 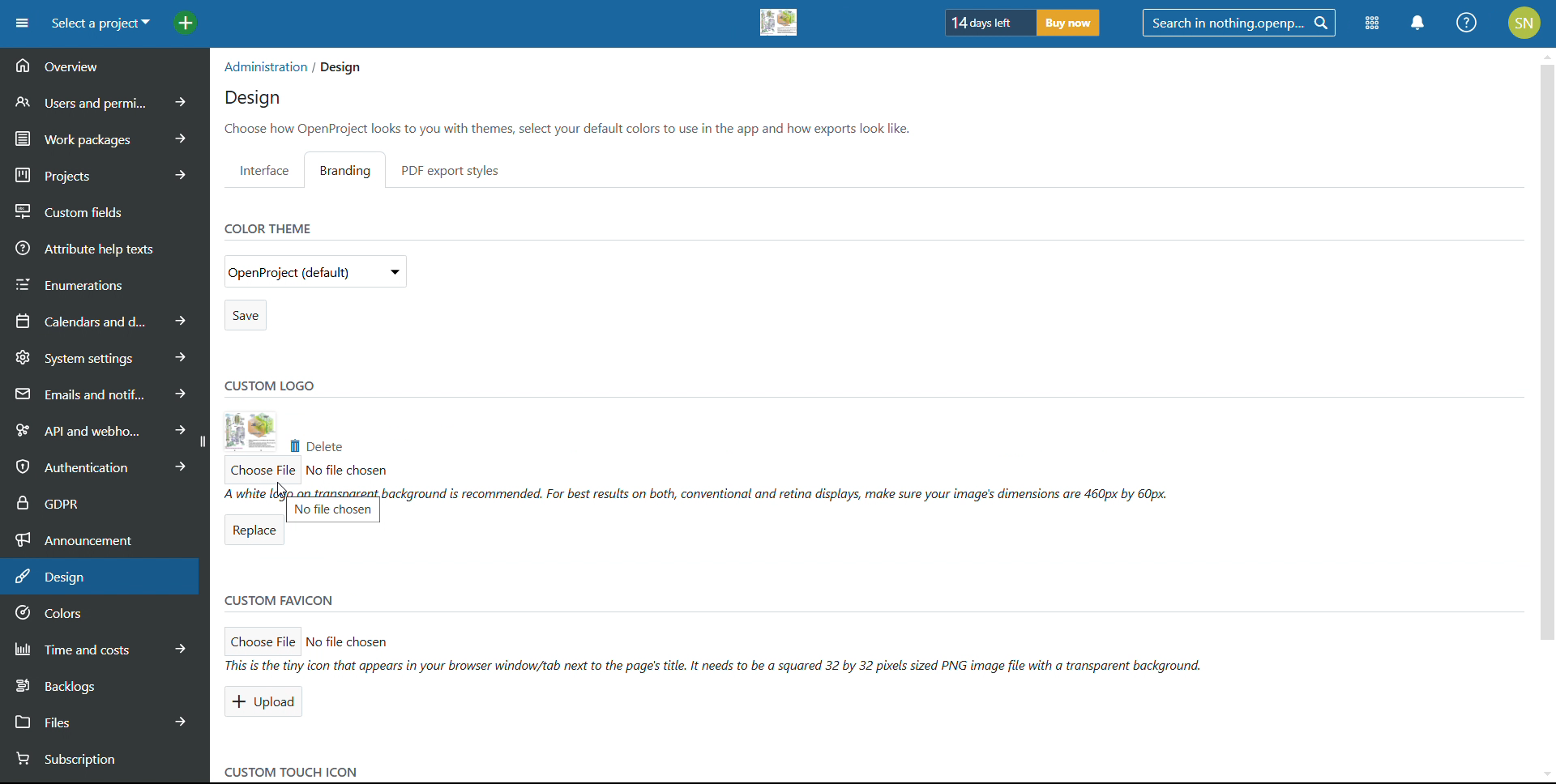 I want to click on subsription, so click(x=93, y=760).